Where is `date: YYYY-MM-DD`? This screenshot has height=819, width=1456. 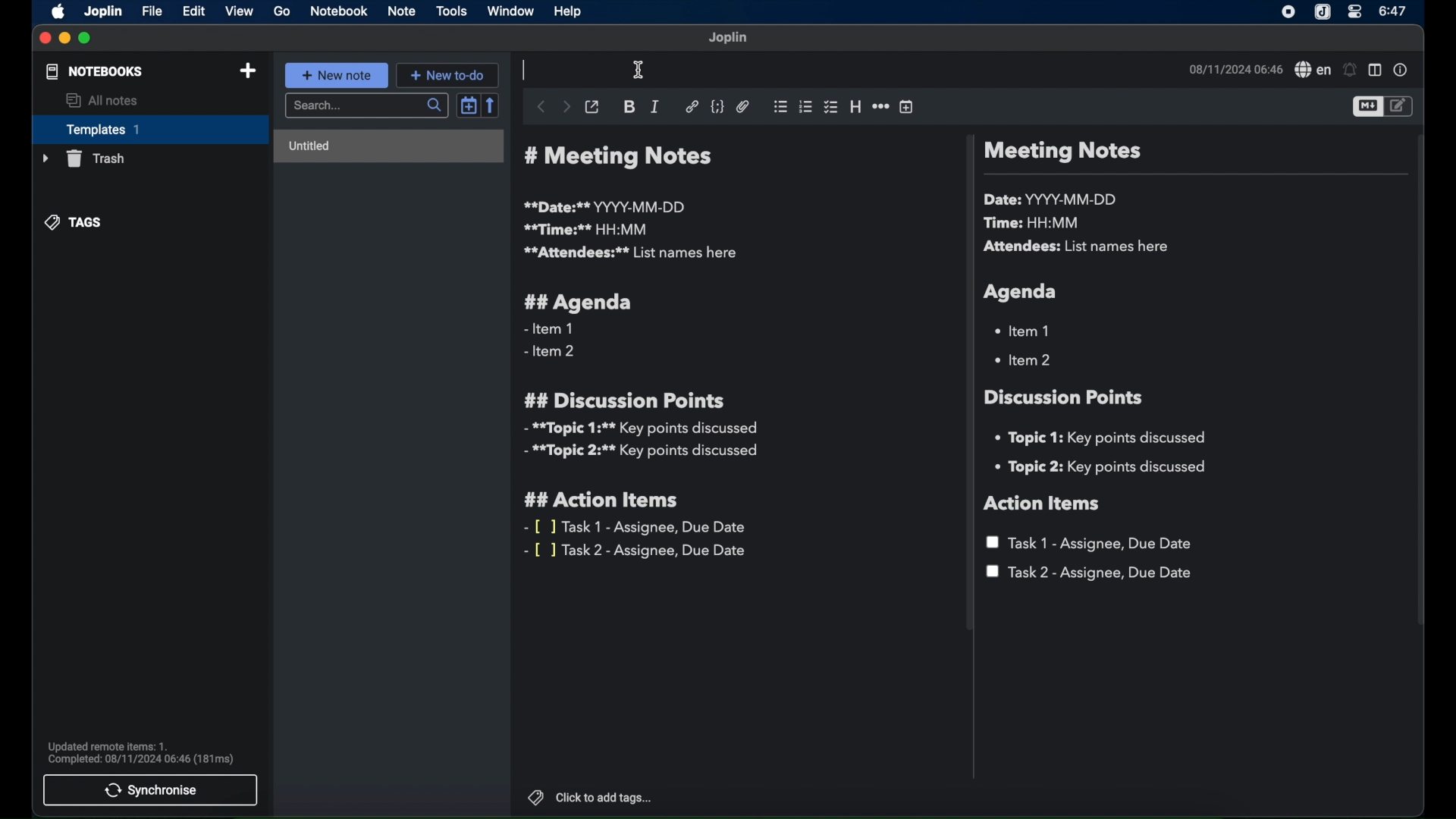 date: YYYY-MM-DD is located at coordinates (1053, 199).